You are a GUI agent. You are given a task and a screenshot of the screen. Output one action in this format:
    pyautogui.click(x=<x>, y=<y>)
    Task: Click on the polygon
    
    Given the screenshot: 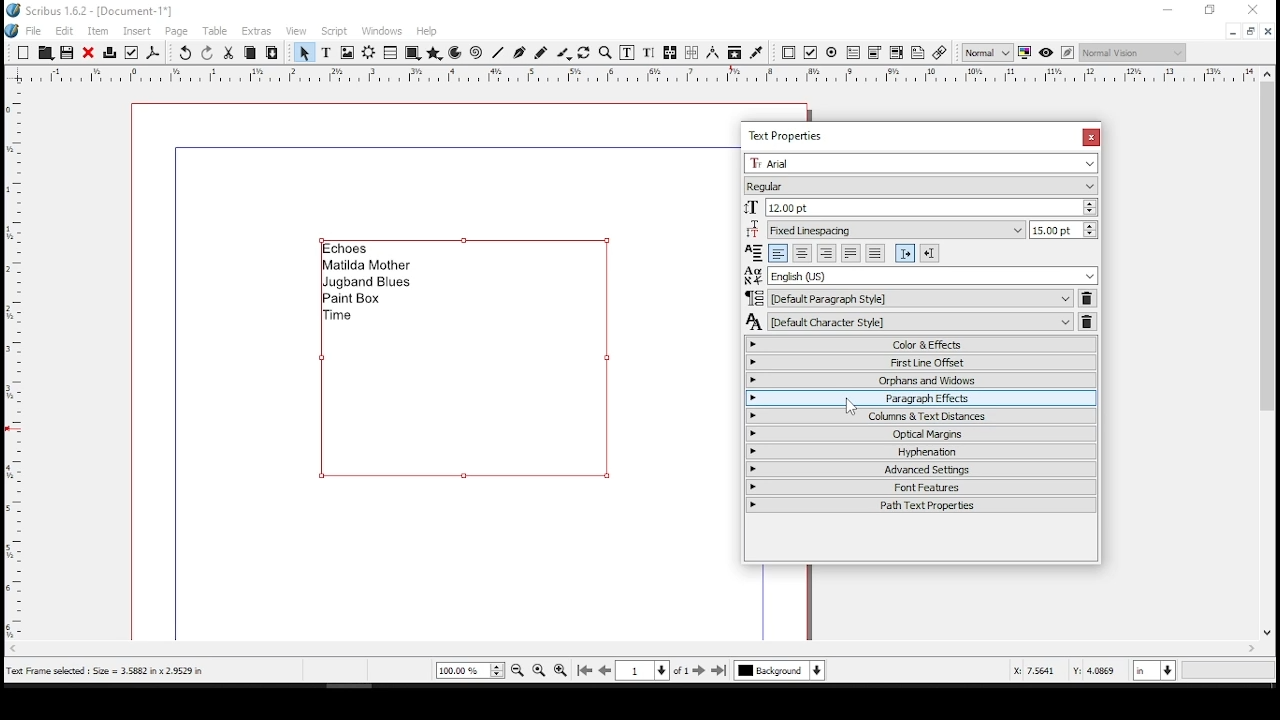 What is the action you would take?
    pyautogui.click(x=435, y=54)
    